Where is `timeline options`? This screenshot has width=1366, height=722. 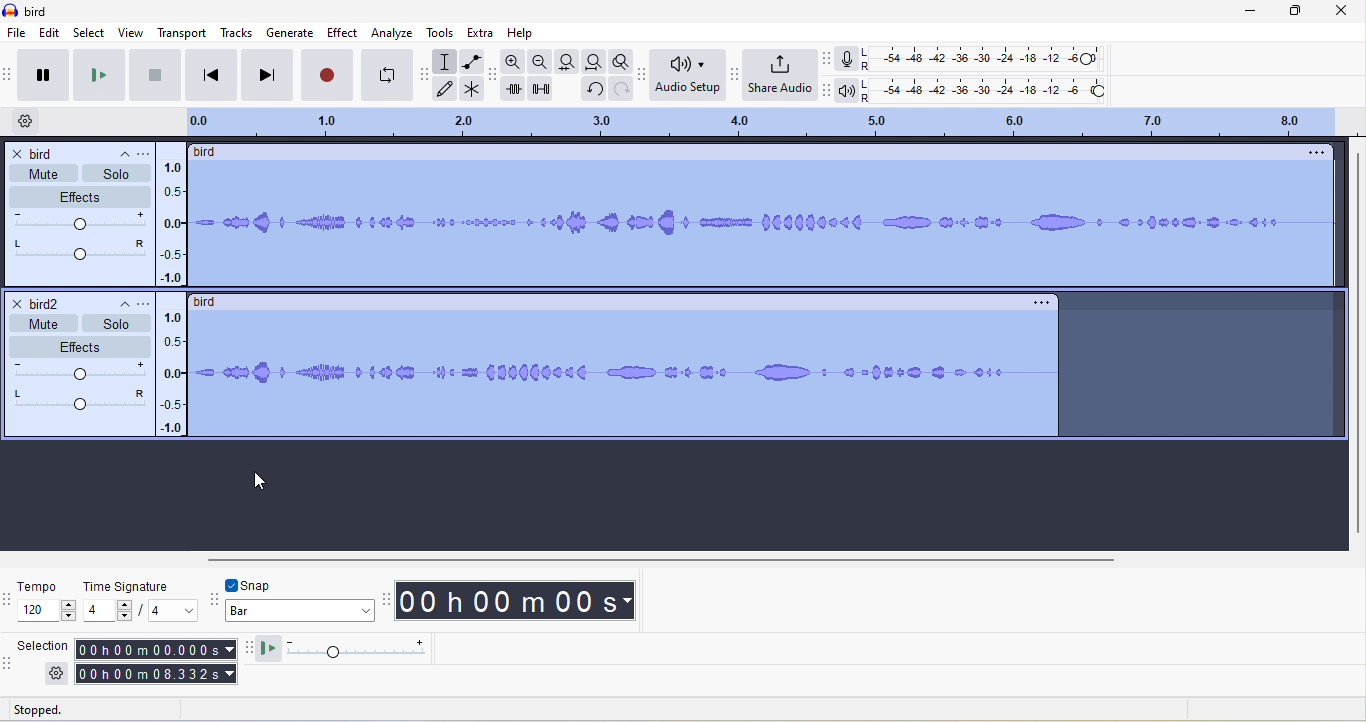
timeline options is located at coordinates (28, 123).